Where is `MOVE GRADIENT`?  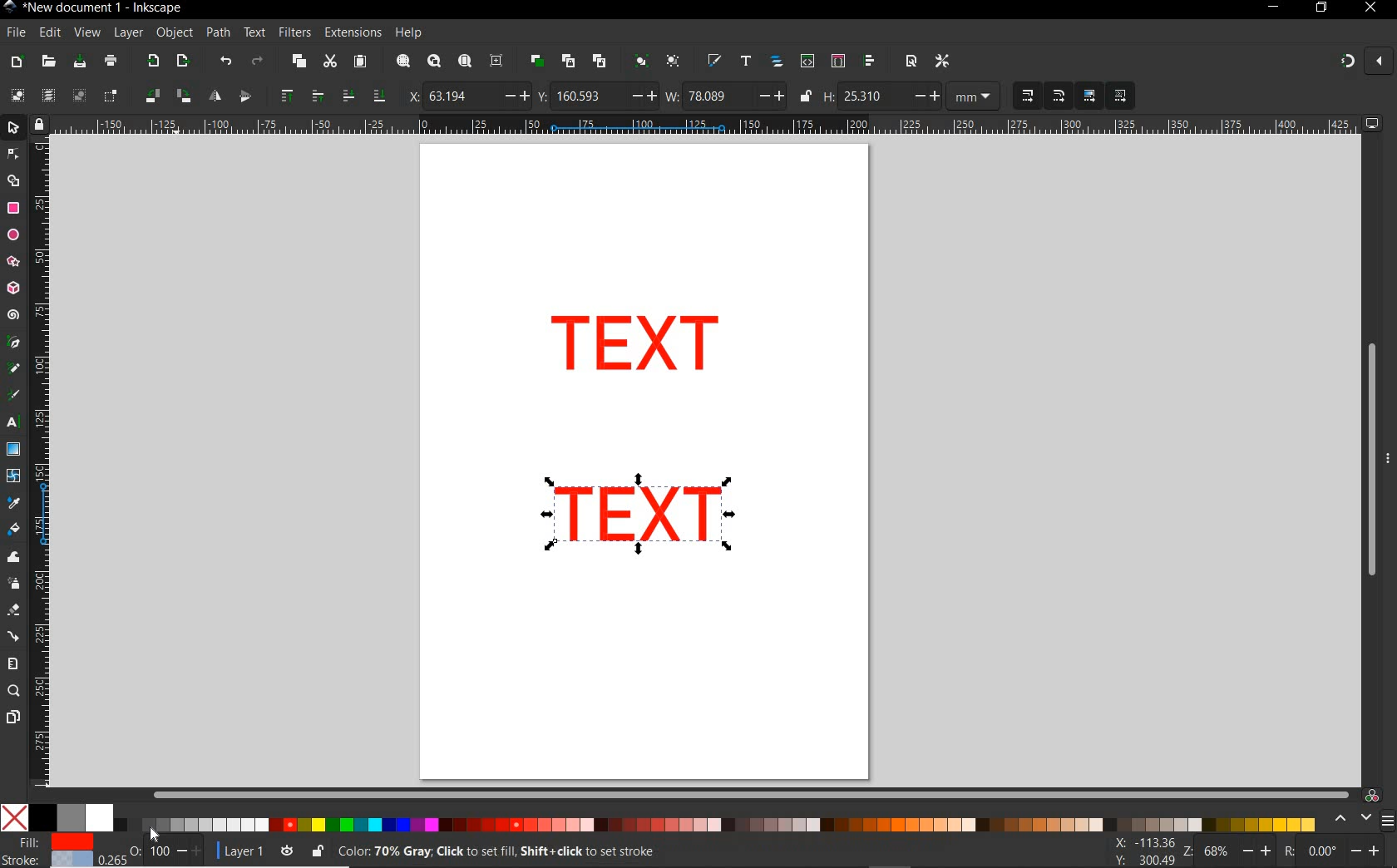 MOVE GRADIENT is located at coordinates (1090, 96).